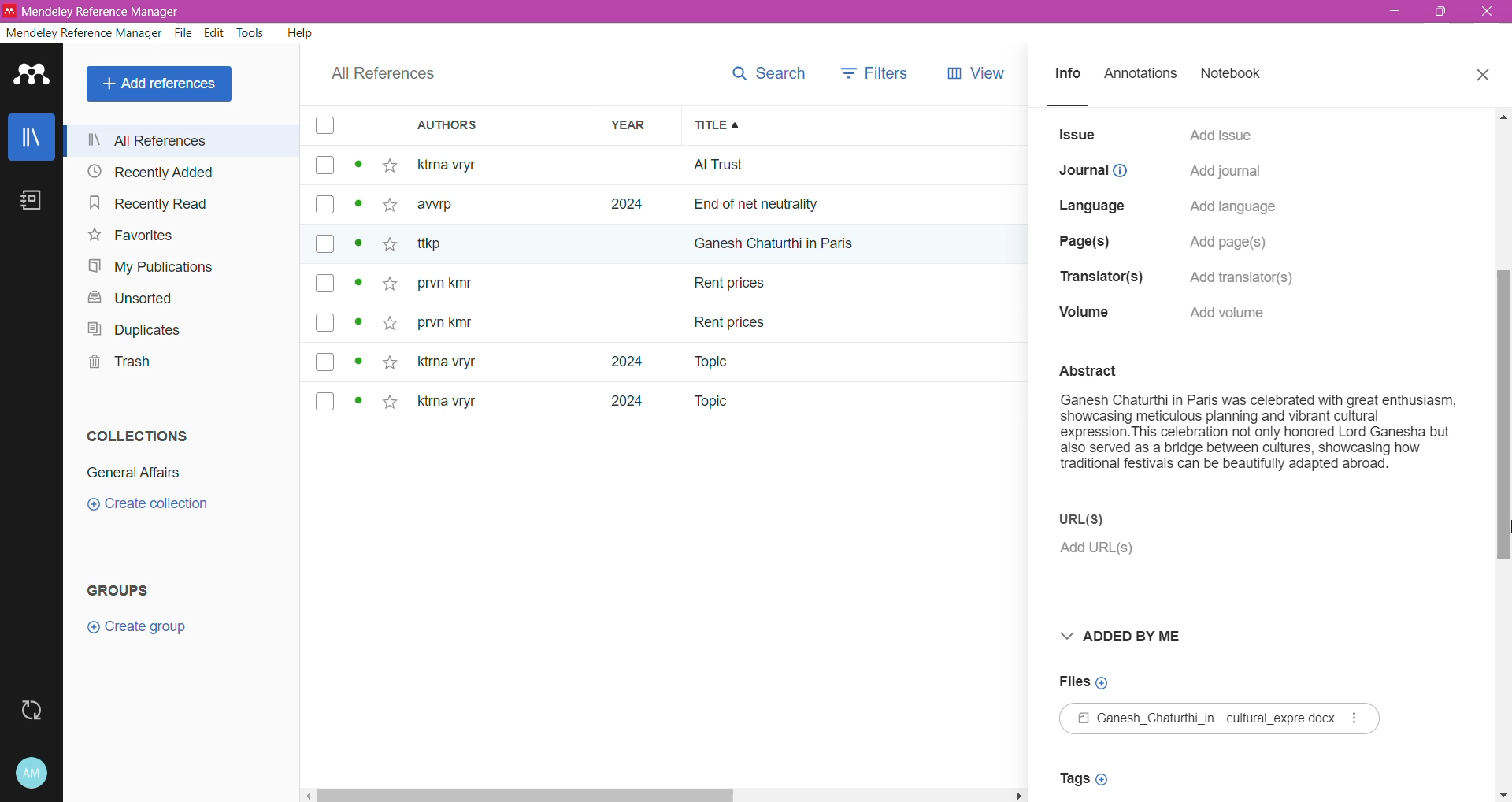  I want to click on Filters, so click(876, 69).